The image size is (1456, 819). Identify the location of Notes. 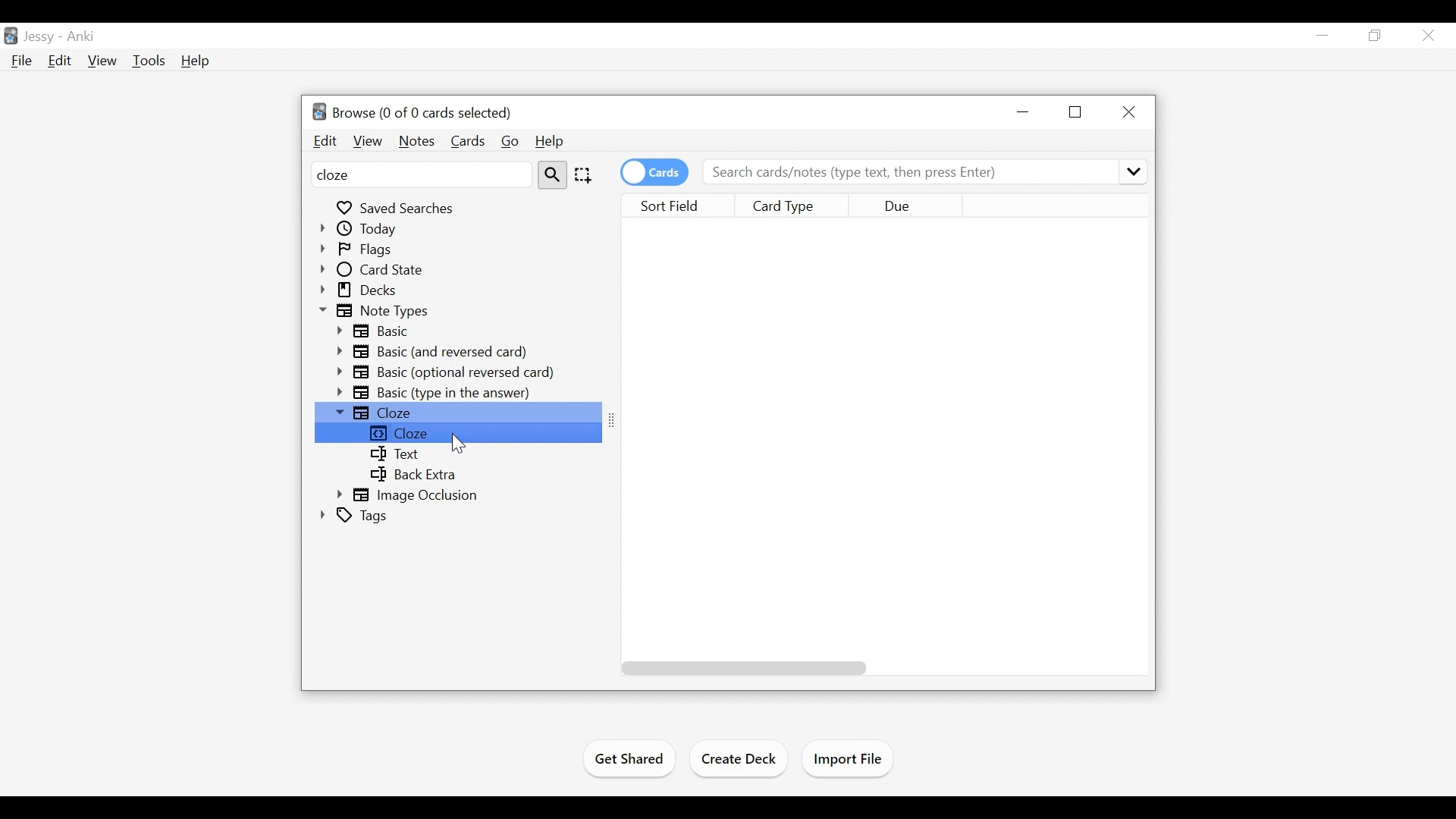
(416, 140).